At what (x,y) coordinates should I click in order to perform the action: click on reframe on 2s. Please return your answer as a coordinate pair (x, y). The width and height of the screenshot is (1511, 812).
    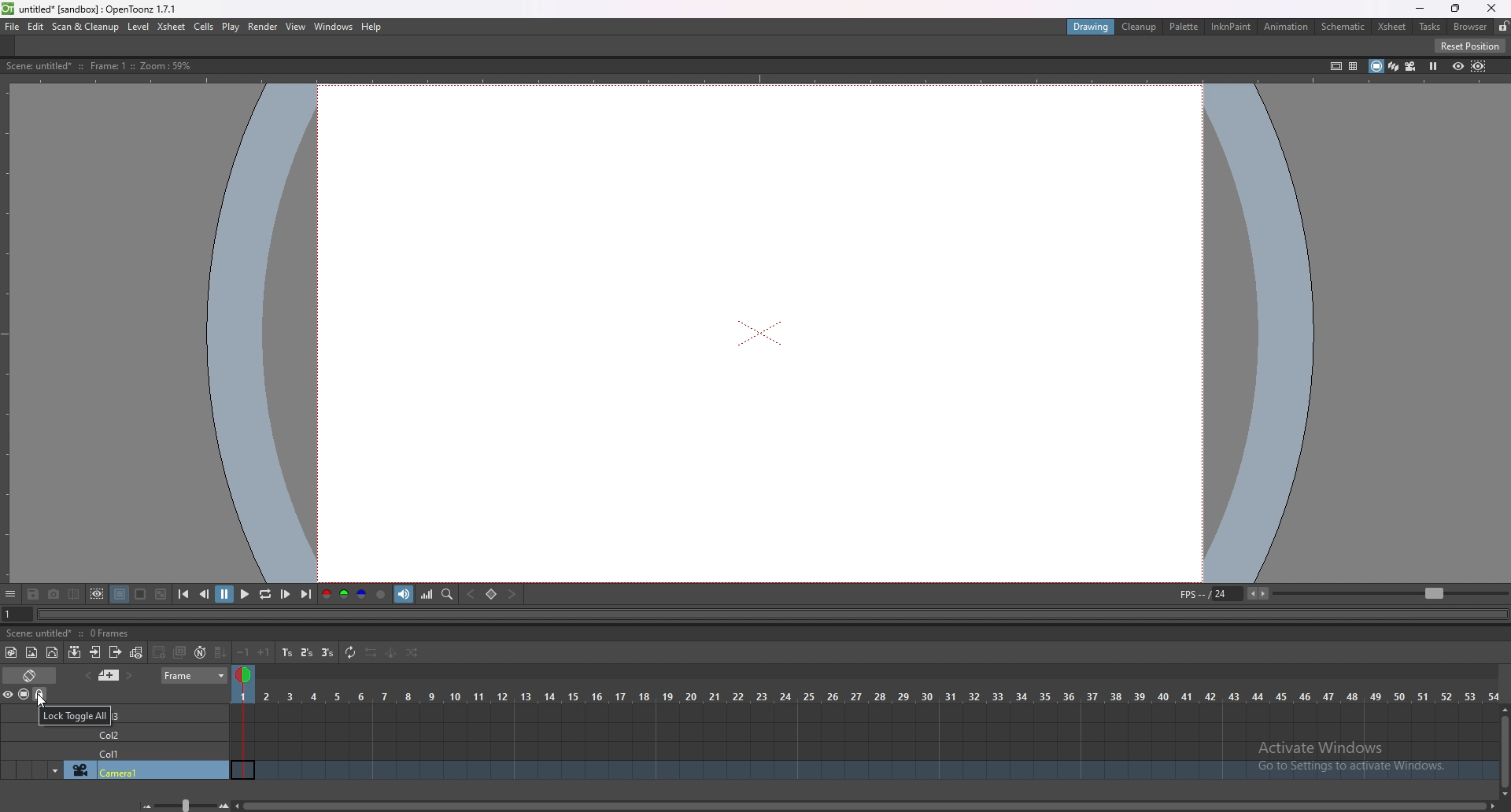
    Looking at the image, I should click on (307, 652).